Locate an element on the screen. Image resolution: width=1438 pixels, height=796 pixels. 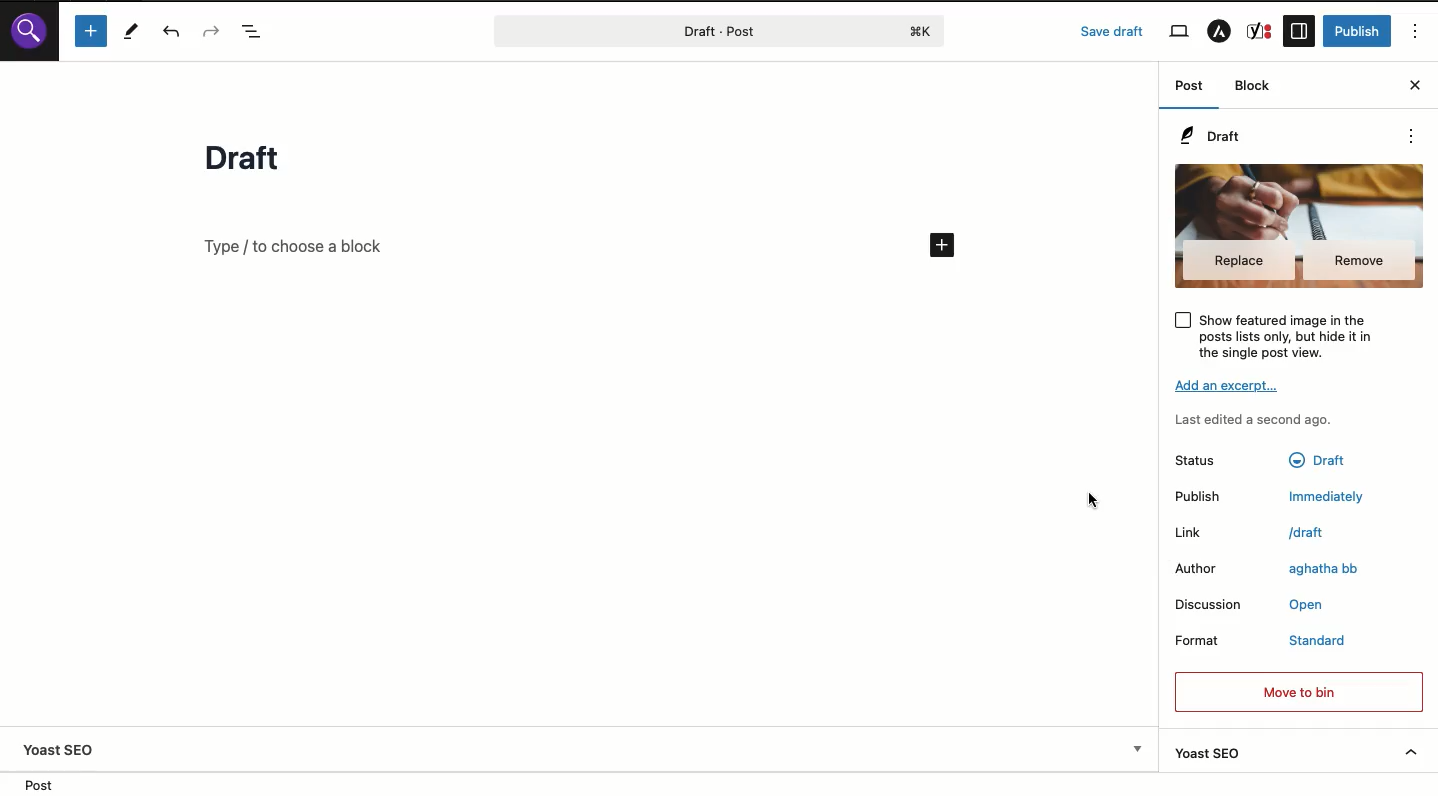
Link is located at coordinates (1191, 533).